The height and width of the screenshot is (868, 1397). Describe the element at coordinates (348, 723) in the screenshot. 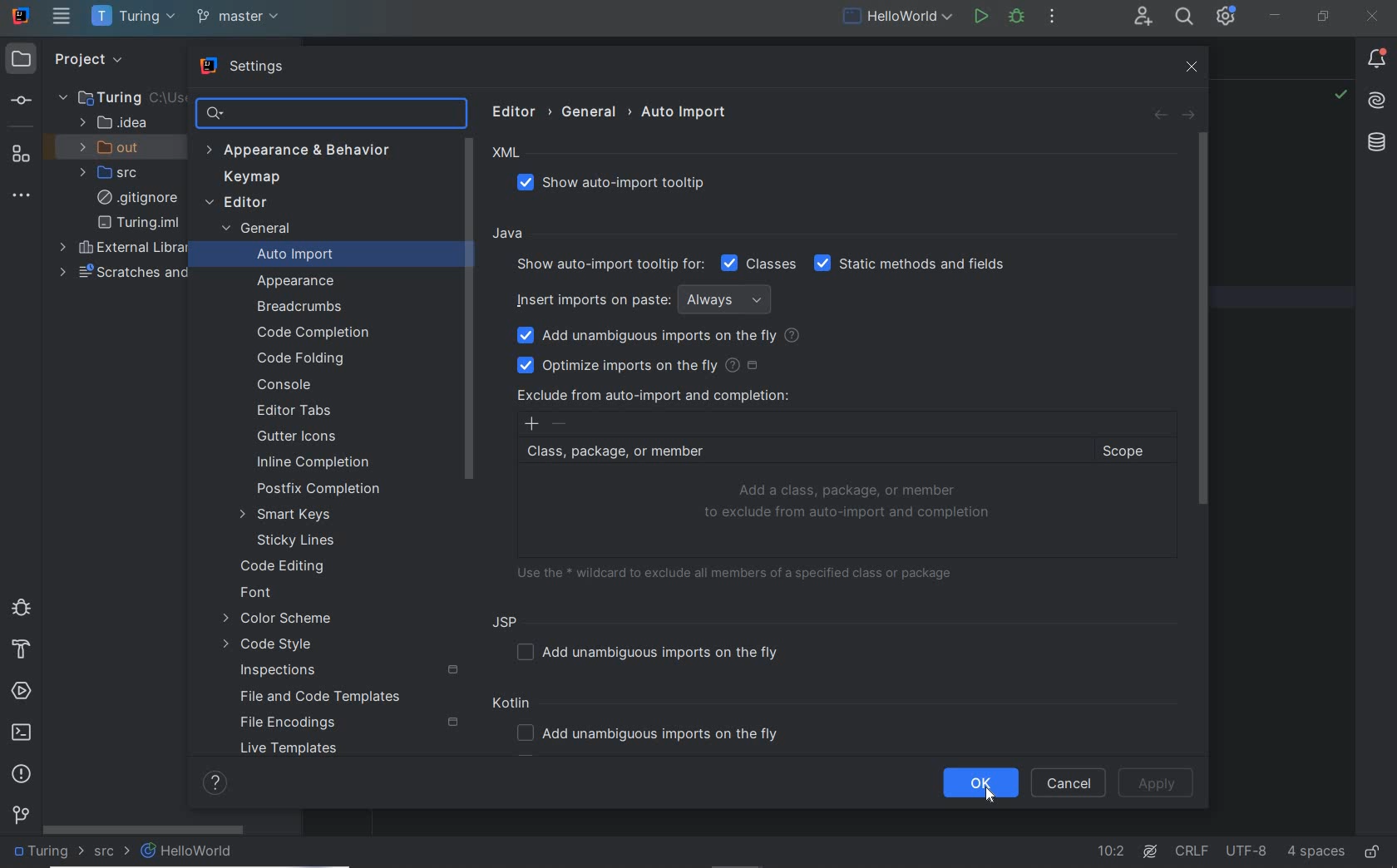

I see `FILE ENCODING` at that location.